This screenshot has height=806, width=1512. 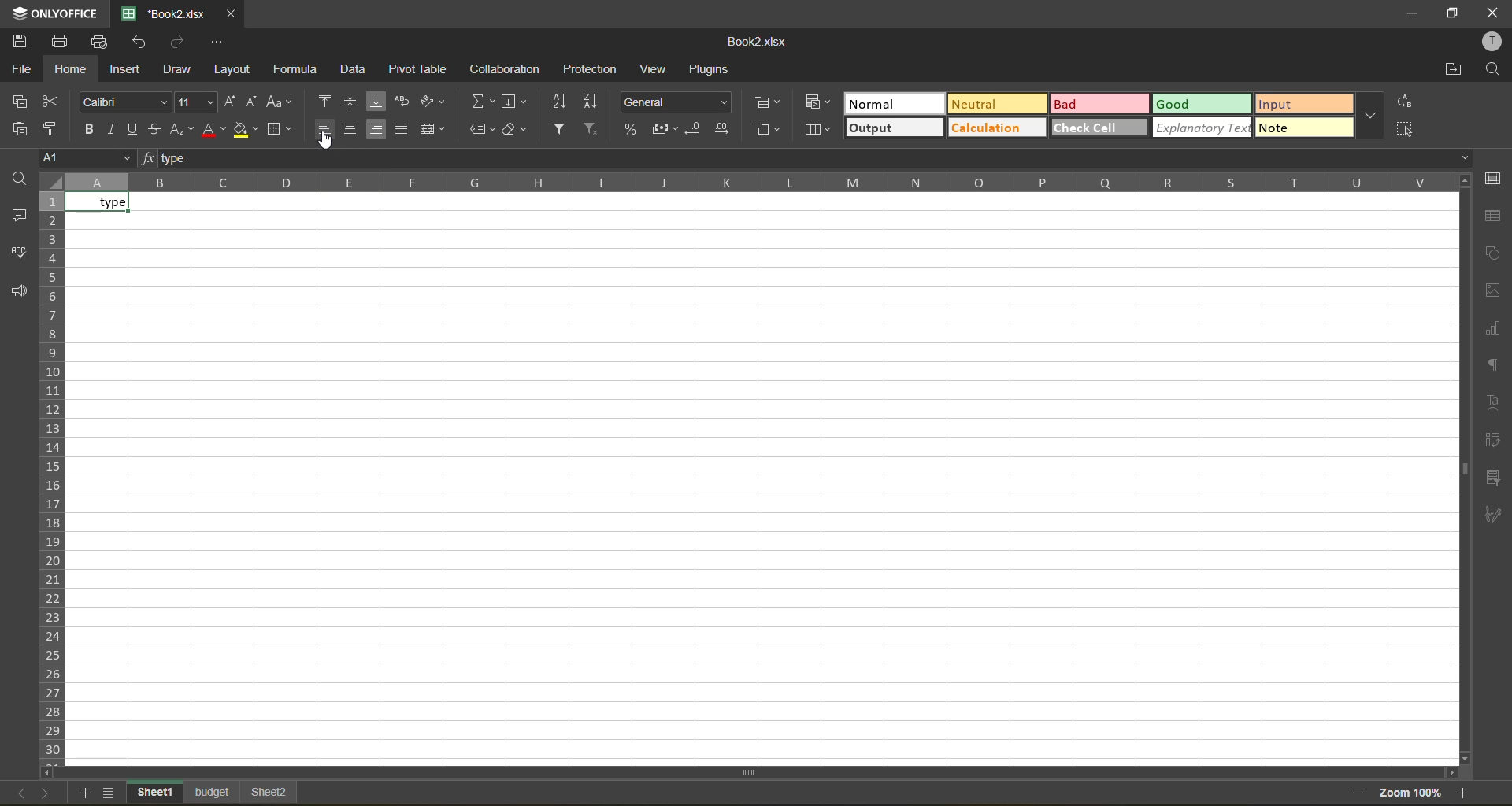 I want to click on minimize, so click(x=1409, y=12).